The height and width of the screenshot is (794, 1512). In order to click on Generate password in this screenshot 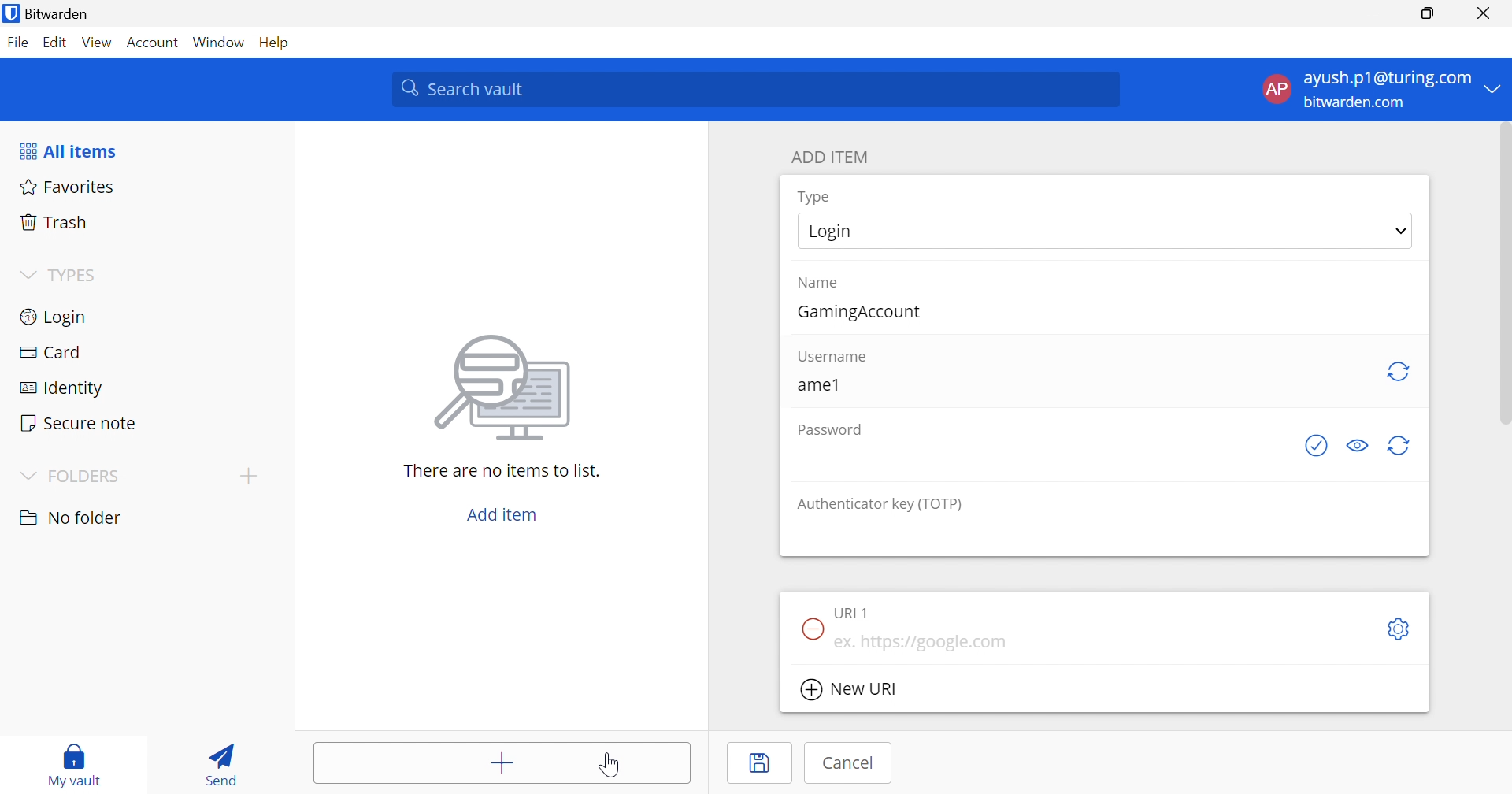, I will do `click(1401, 445)`.